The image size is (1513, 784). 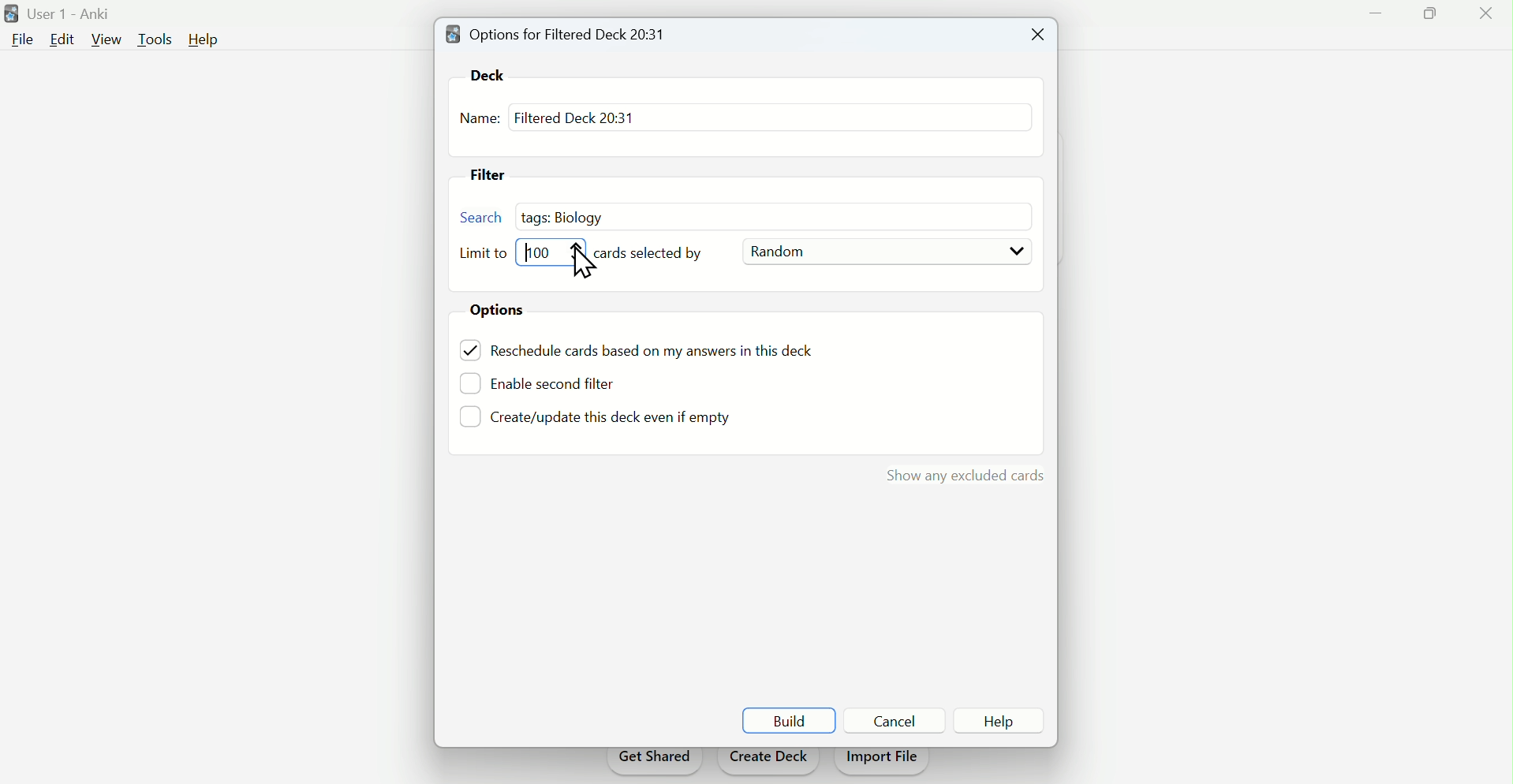 I want to click on Help, so click(x=208, y=40).